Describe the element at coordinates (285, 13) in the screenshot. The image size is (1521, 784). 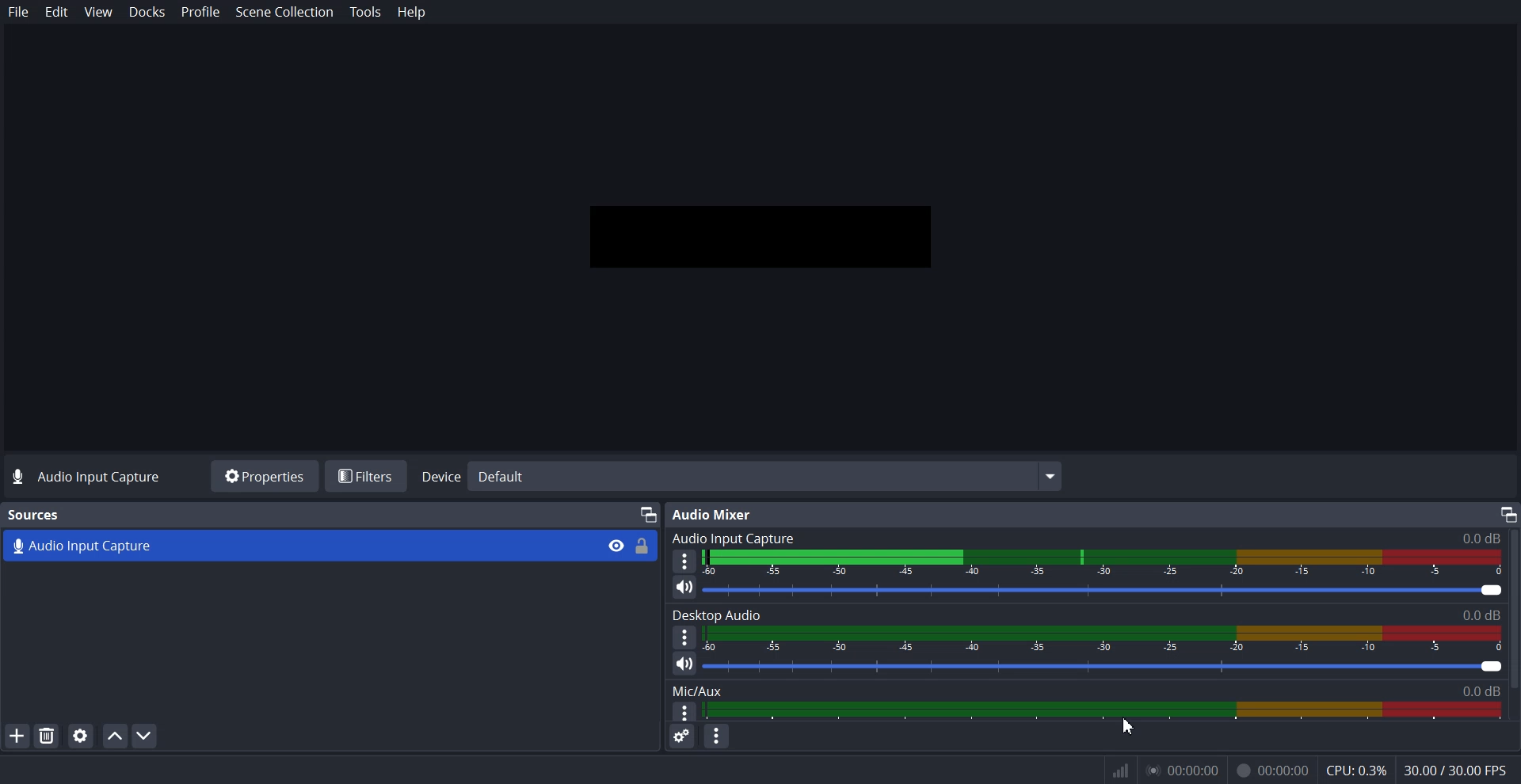
I see `Scene Collection` at that location.